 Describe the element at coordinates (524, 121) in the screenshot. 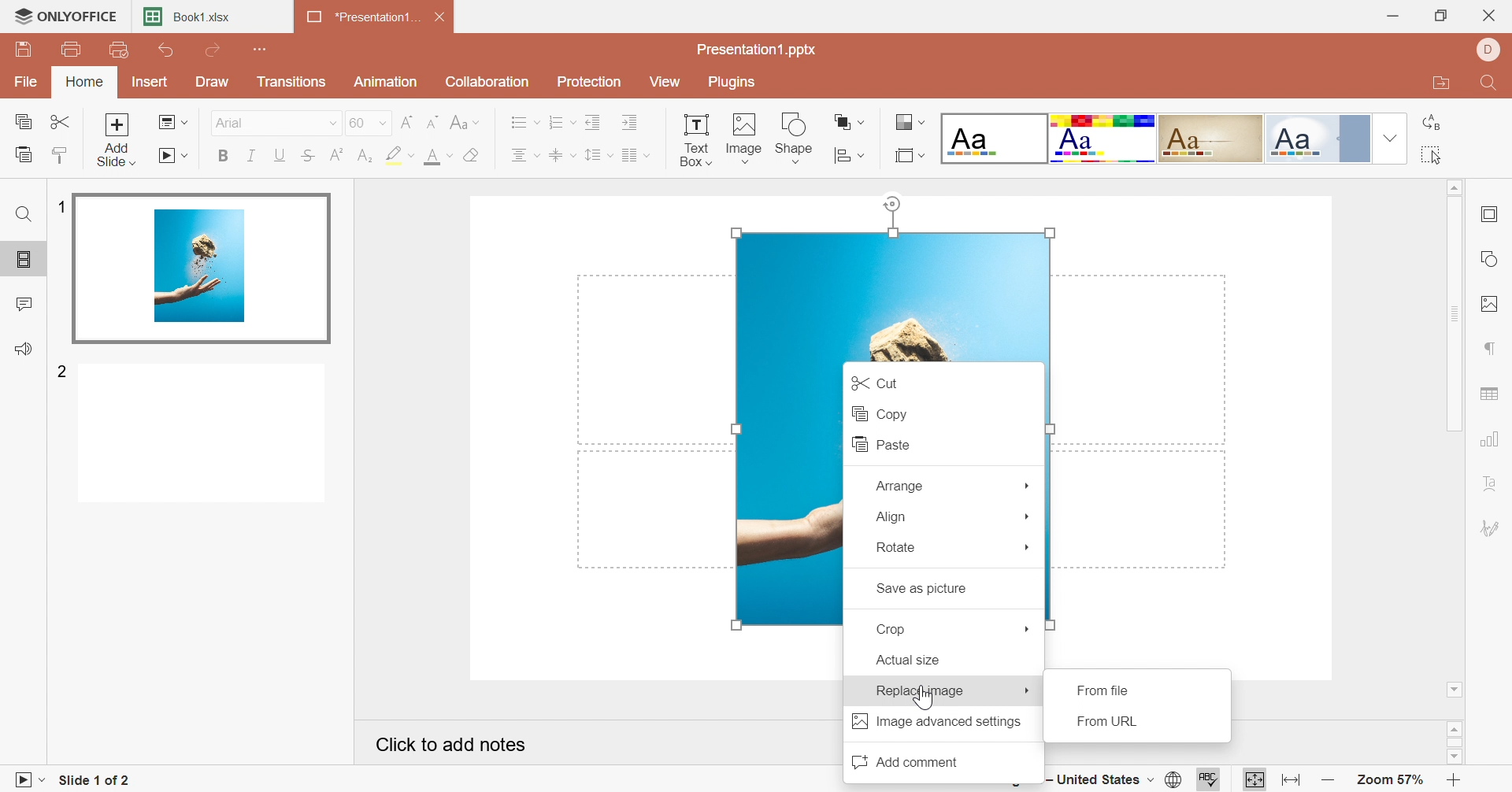

I see `Bullets` at that location.